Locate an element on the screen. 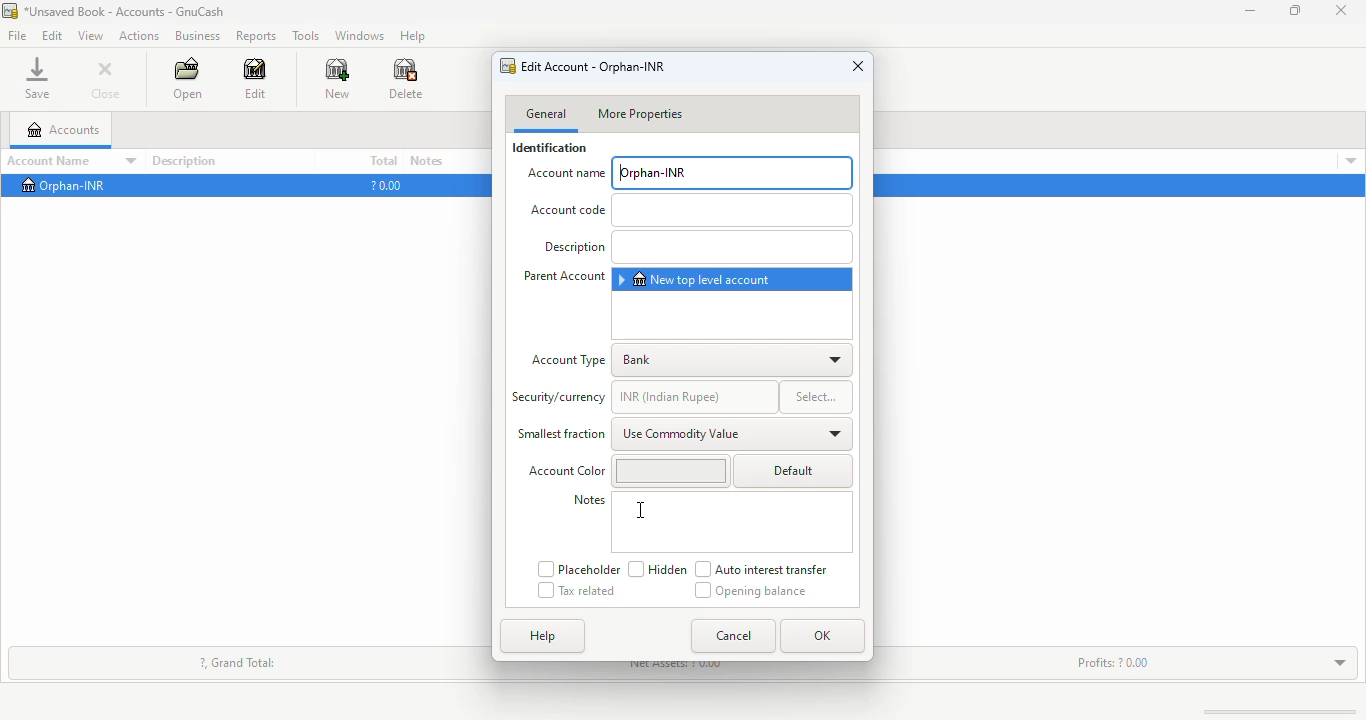 This screenshot has width=1366, height=720. placeholder is located at coordinates (577, 568).